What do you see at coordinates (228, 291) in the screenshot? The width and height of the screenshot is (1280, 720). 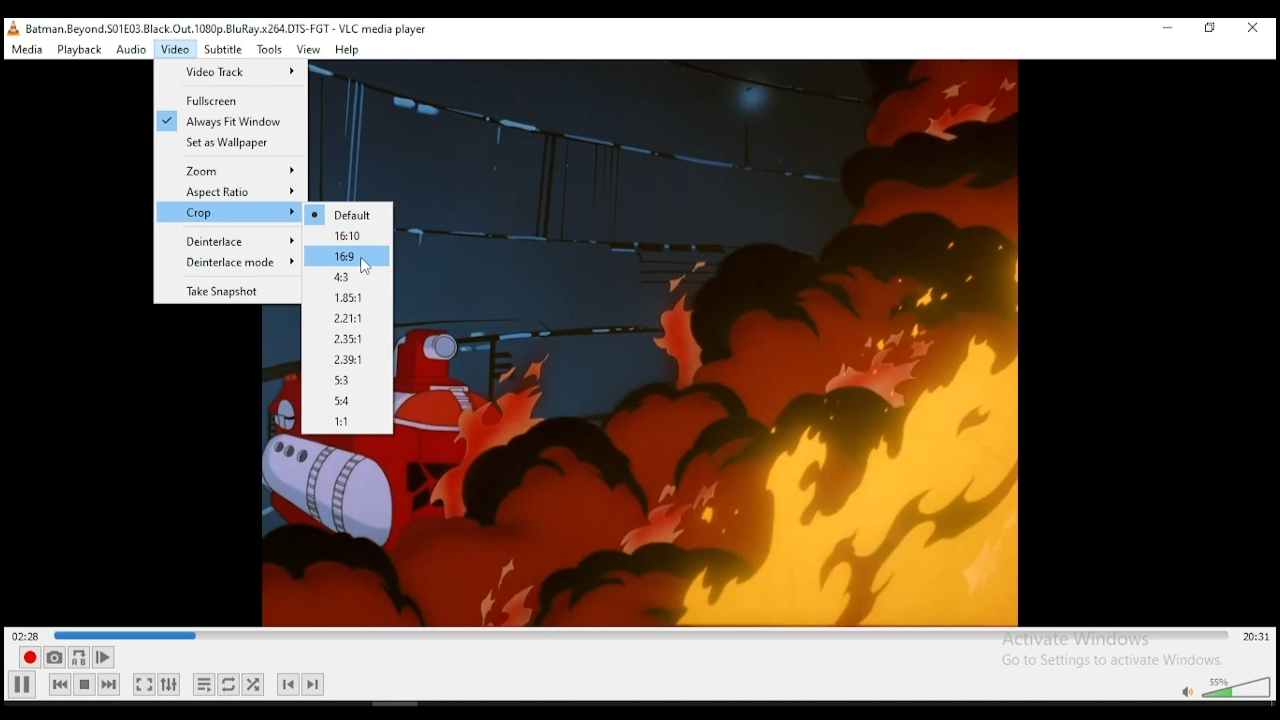 I see `Take snapshot` at bounding box center [228, 291].